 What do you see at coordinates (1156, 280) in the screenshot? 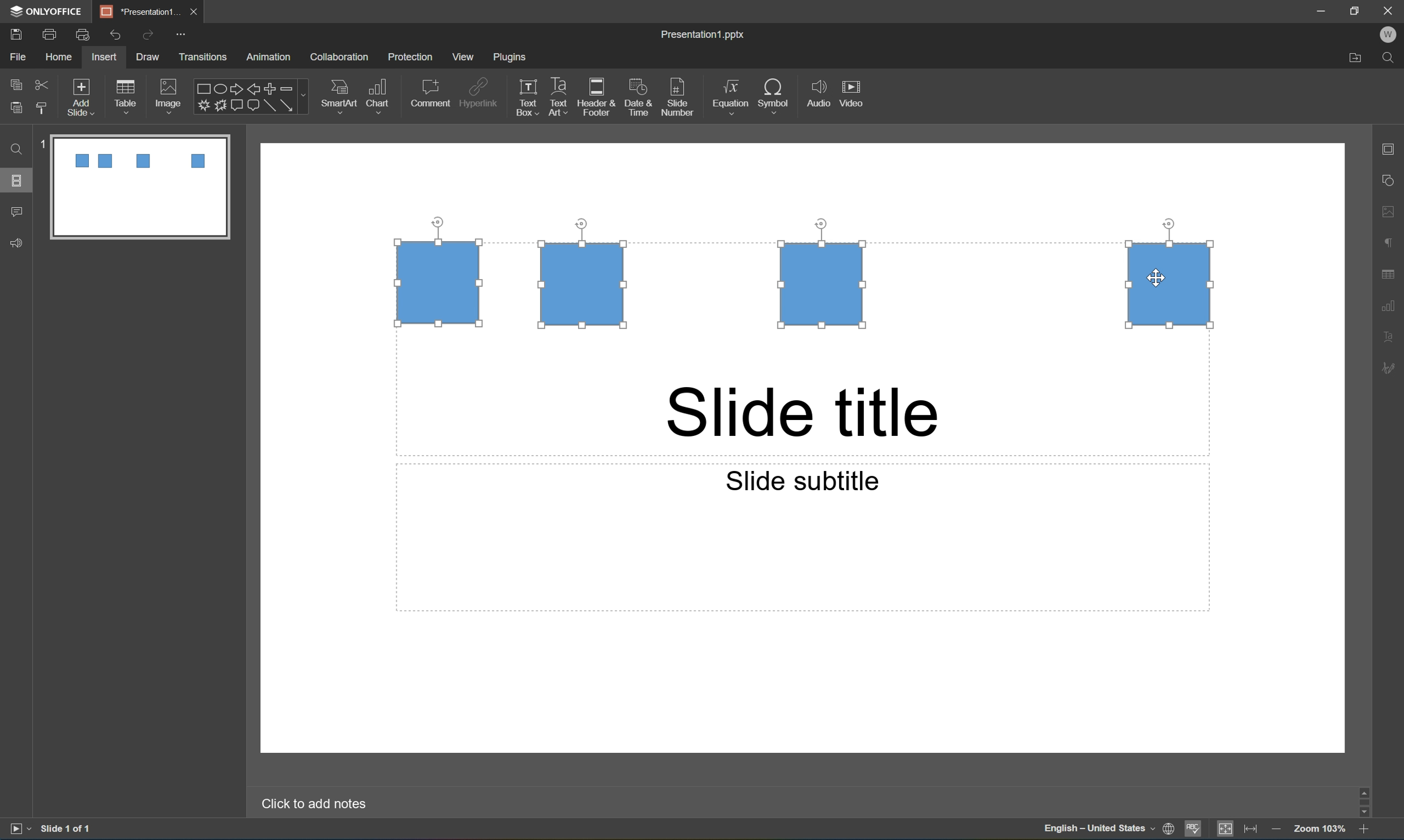
I see `Cursor` at bounding box center [1156, 280].